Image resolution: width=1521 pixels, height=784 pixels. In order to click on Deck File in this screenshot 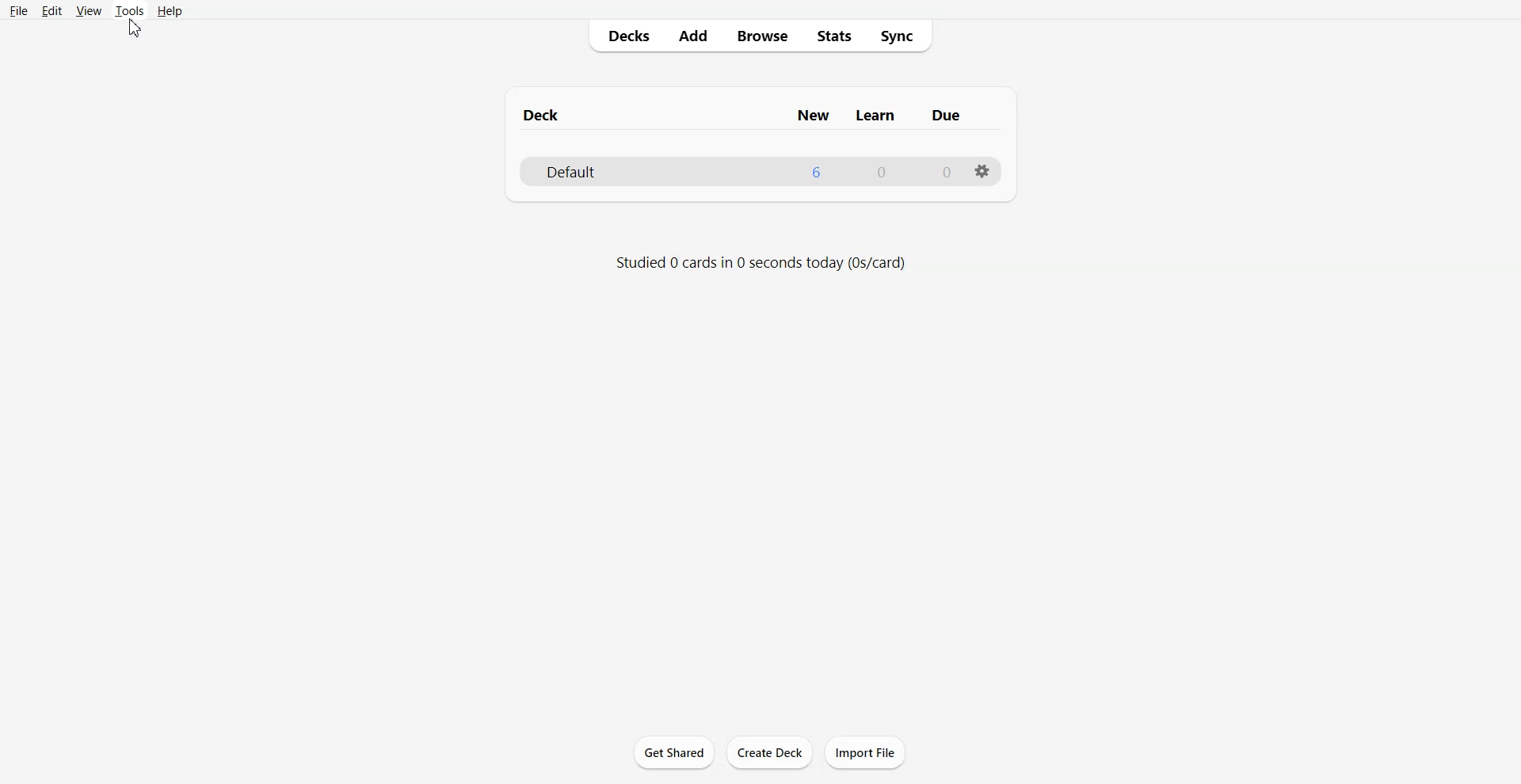, I will do `click(760, 170)`.